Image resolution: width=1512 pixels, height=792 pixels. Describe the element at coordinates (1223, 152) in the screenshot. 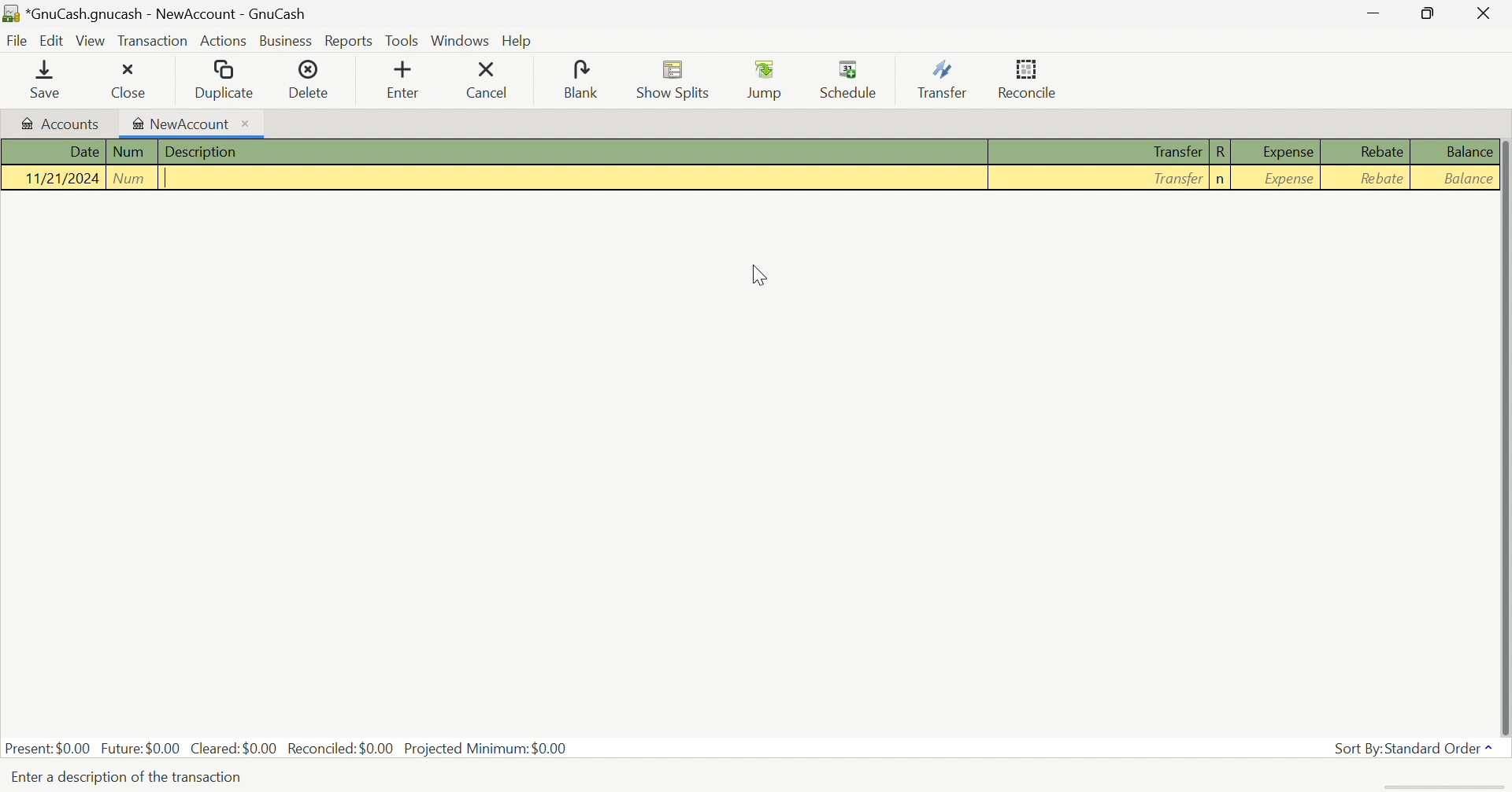

I see `R` at that location.